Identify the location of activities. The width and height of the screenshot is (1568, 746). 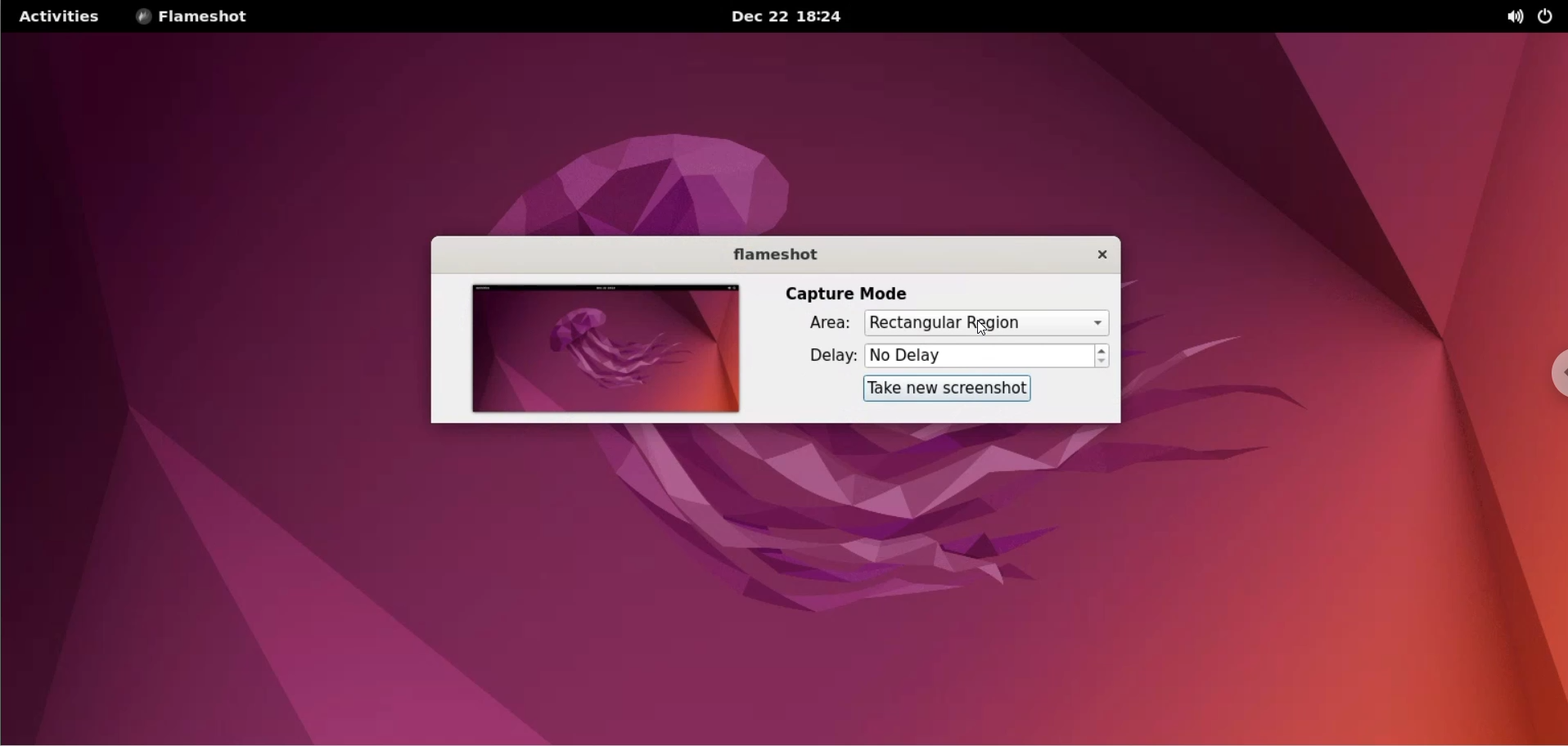
(62, 17).